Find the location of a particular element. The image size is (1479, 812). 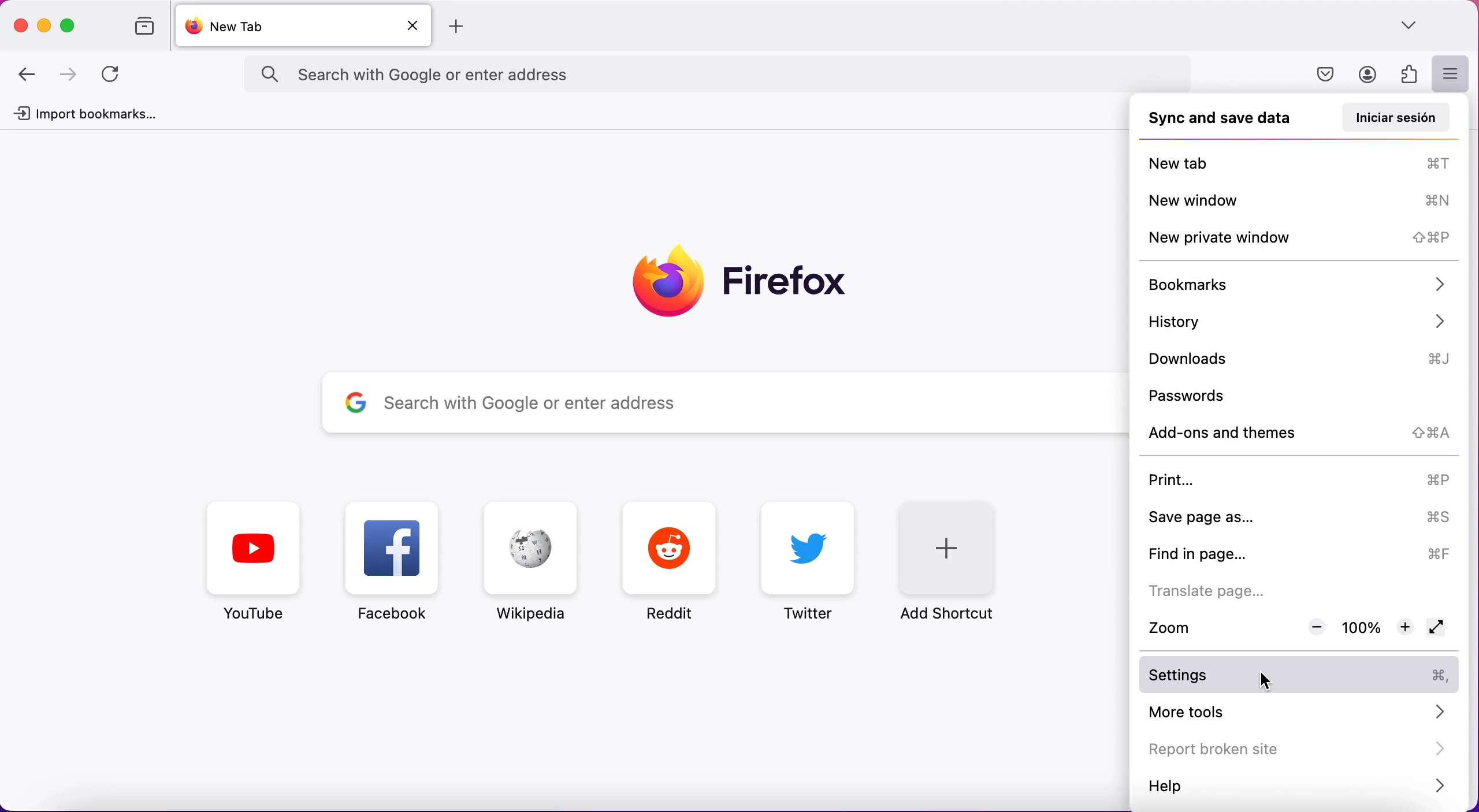

list all tabs is located at coordinates (1414, 26).